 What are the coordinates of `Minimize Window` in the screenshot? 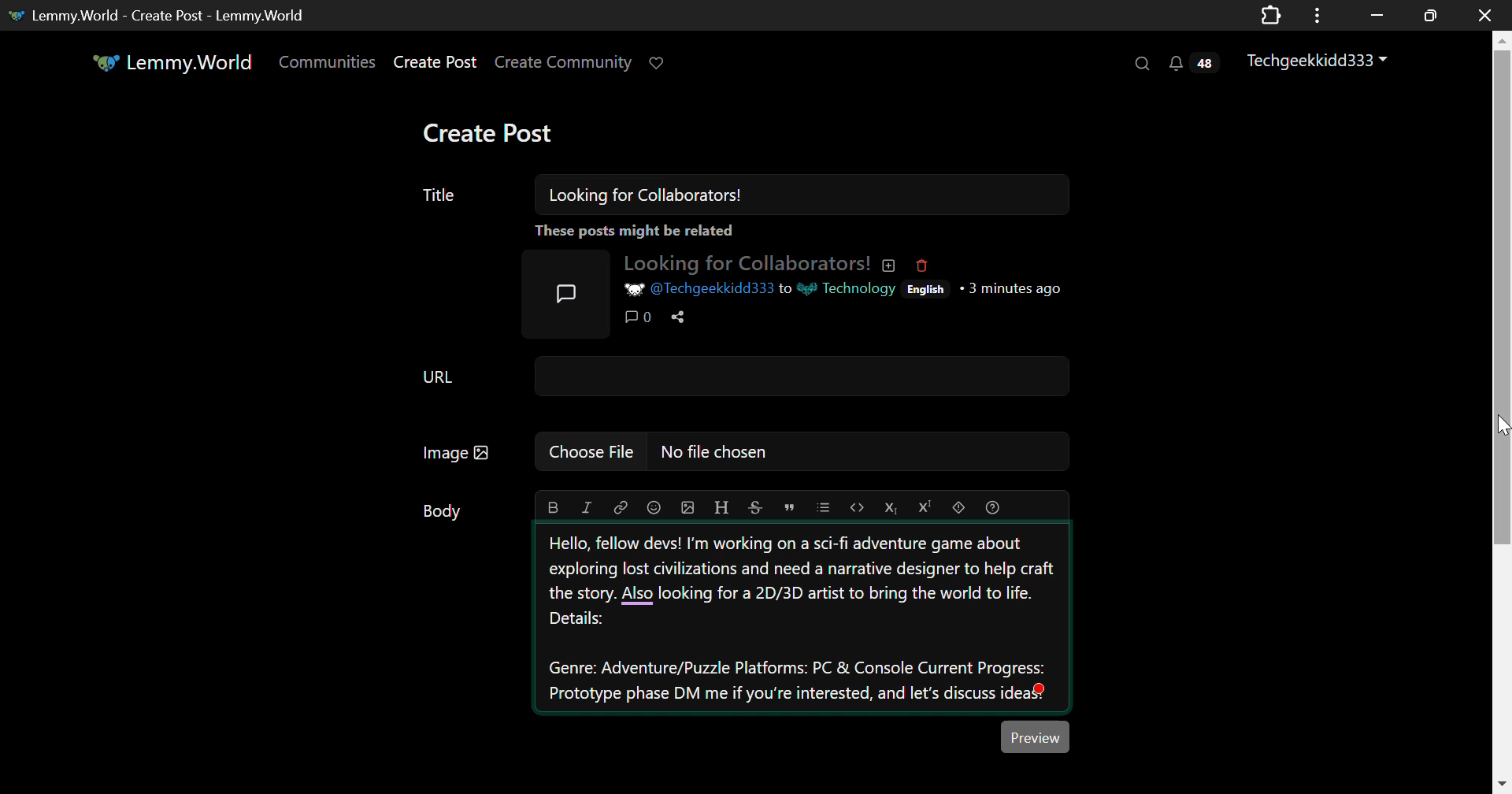 It's located at (1427, 15).